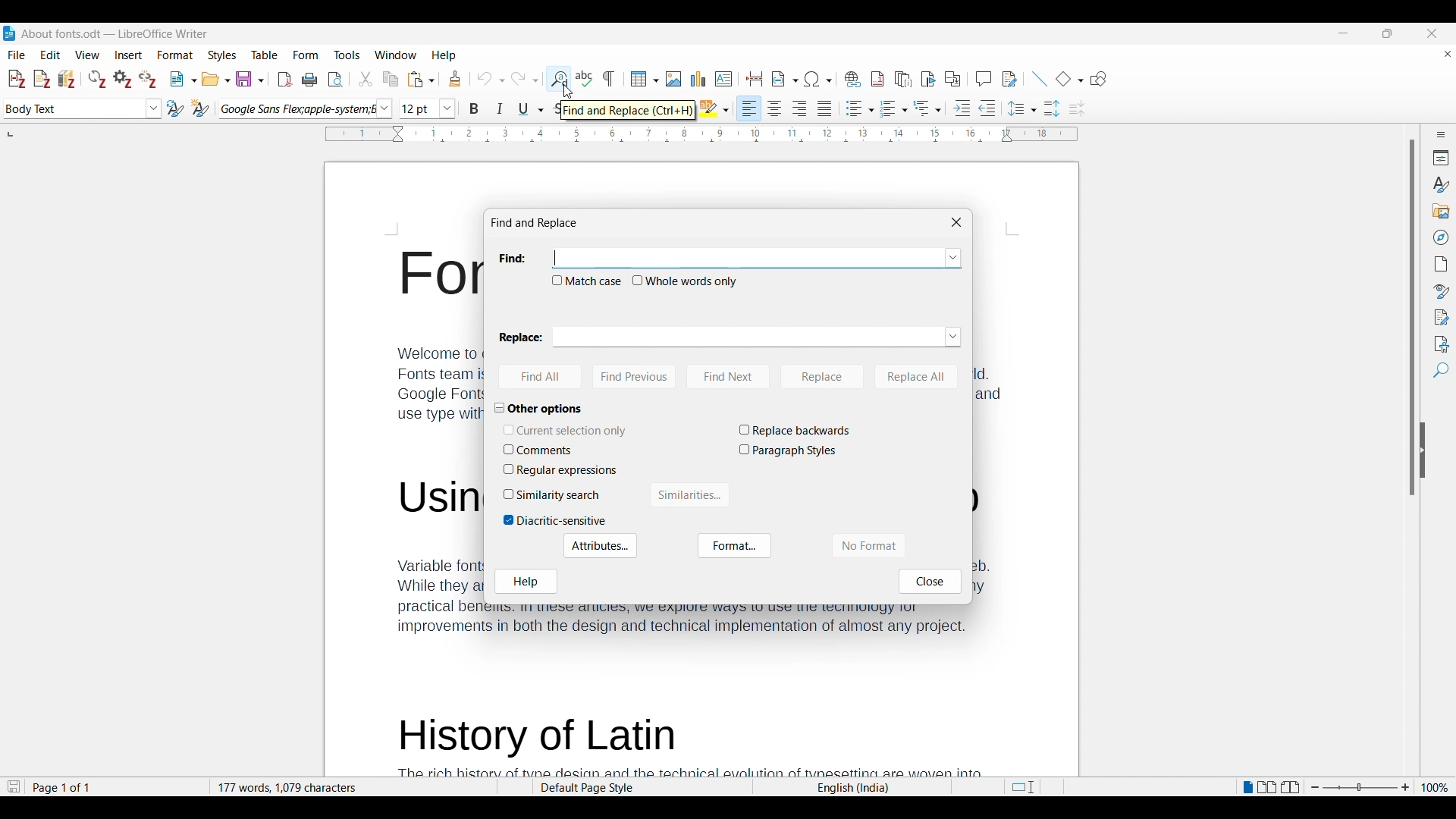 This screenshot has width=1456, height=819. I want to click on Current zoom factor, so click(1435, 788).